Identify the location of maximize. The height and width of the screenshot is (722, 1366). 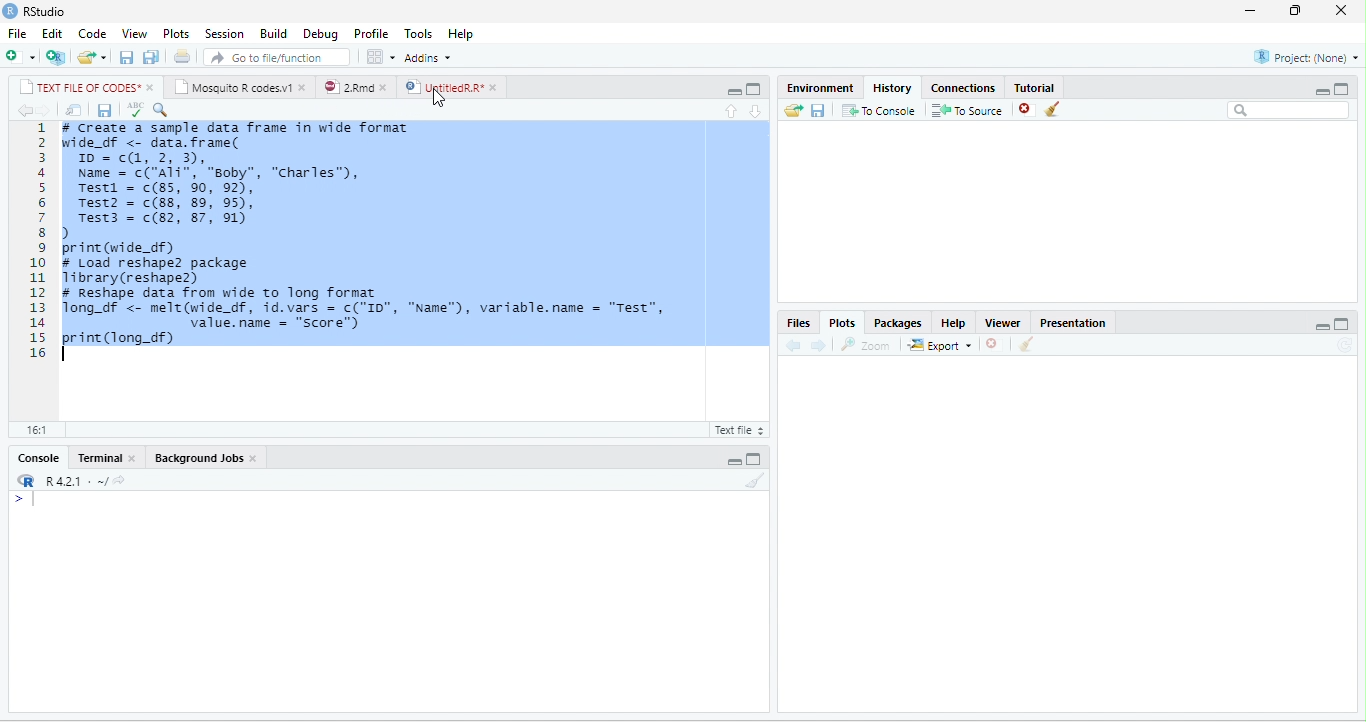
(752, 90).